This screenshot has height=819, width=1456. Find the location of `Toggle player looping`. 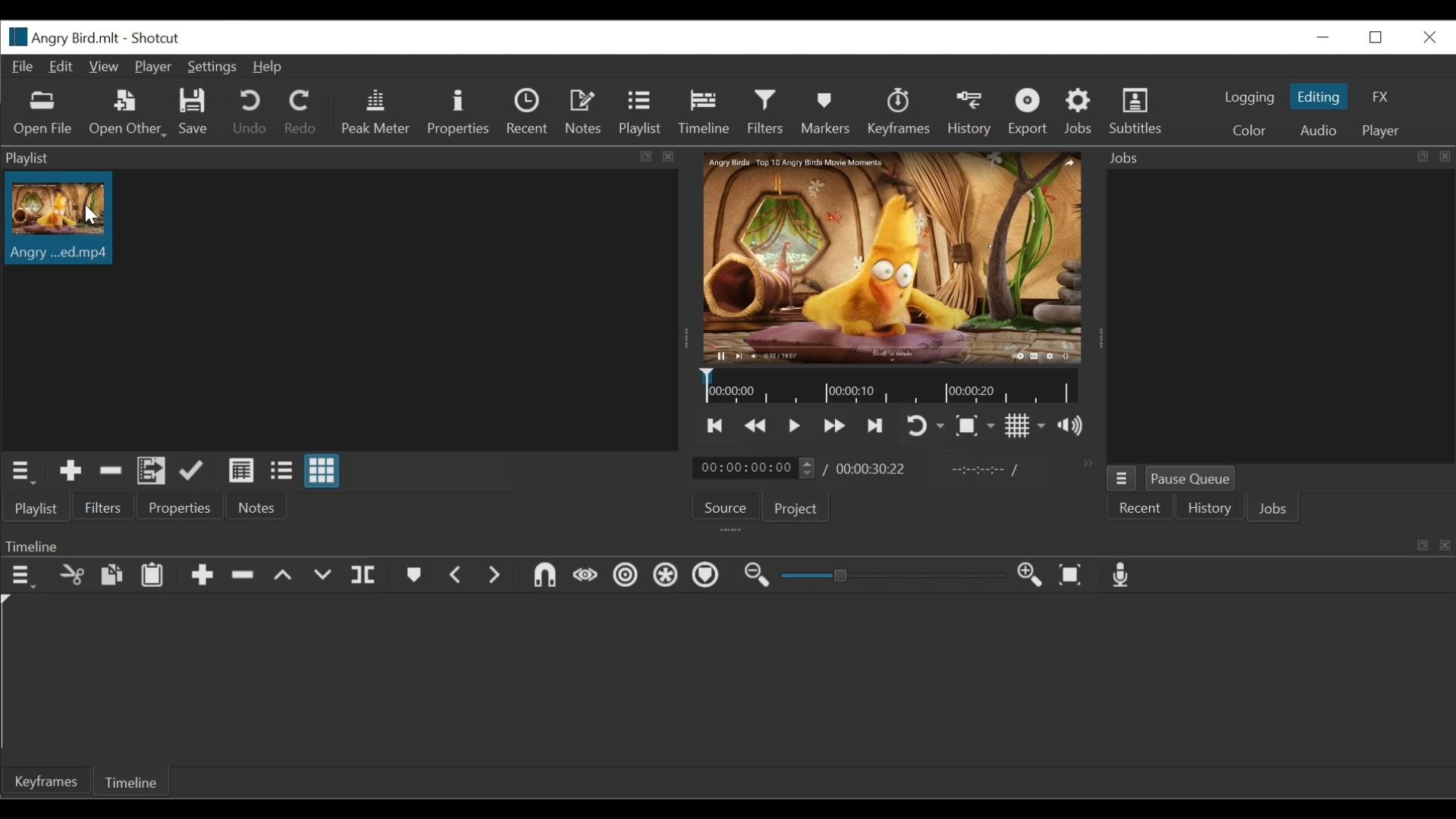

Toggle player looping is located at coordinates (925, 427).